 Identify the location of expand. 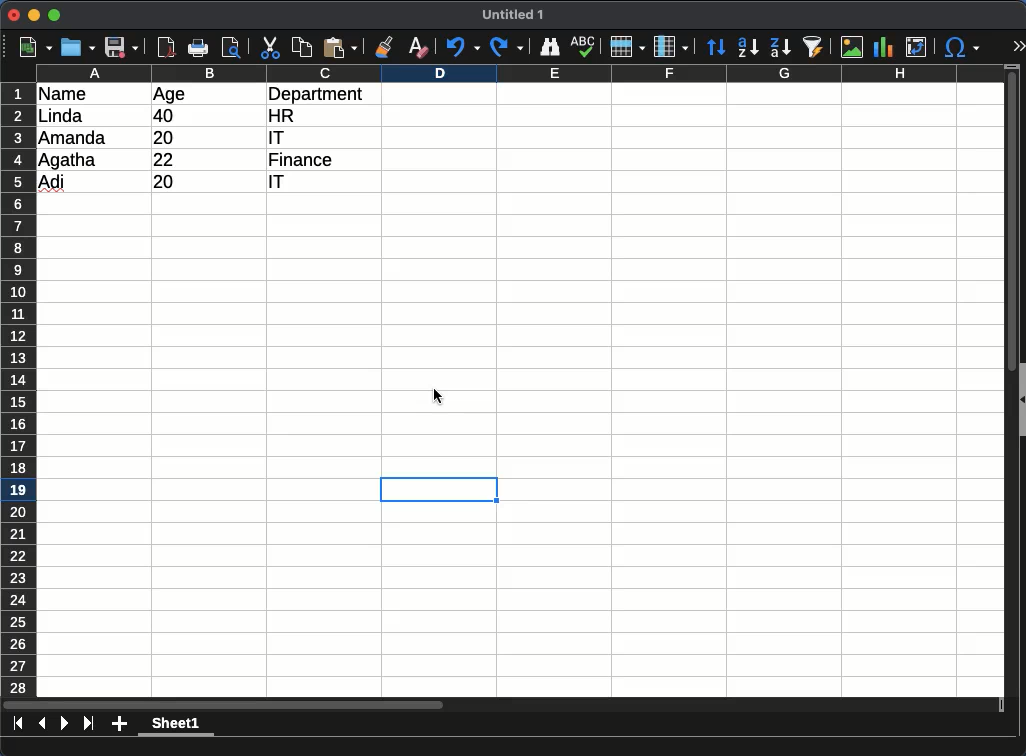
(1018, 48).